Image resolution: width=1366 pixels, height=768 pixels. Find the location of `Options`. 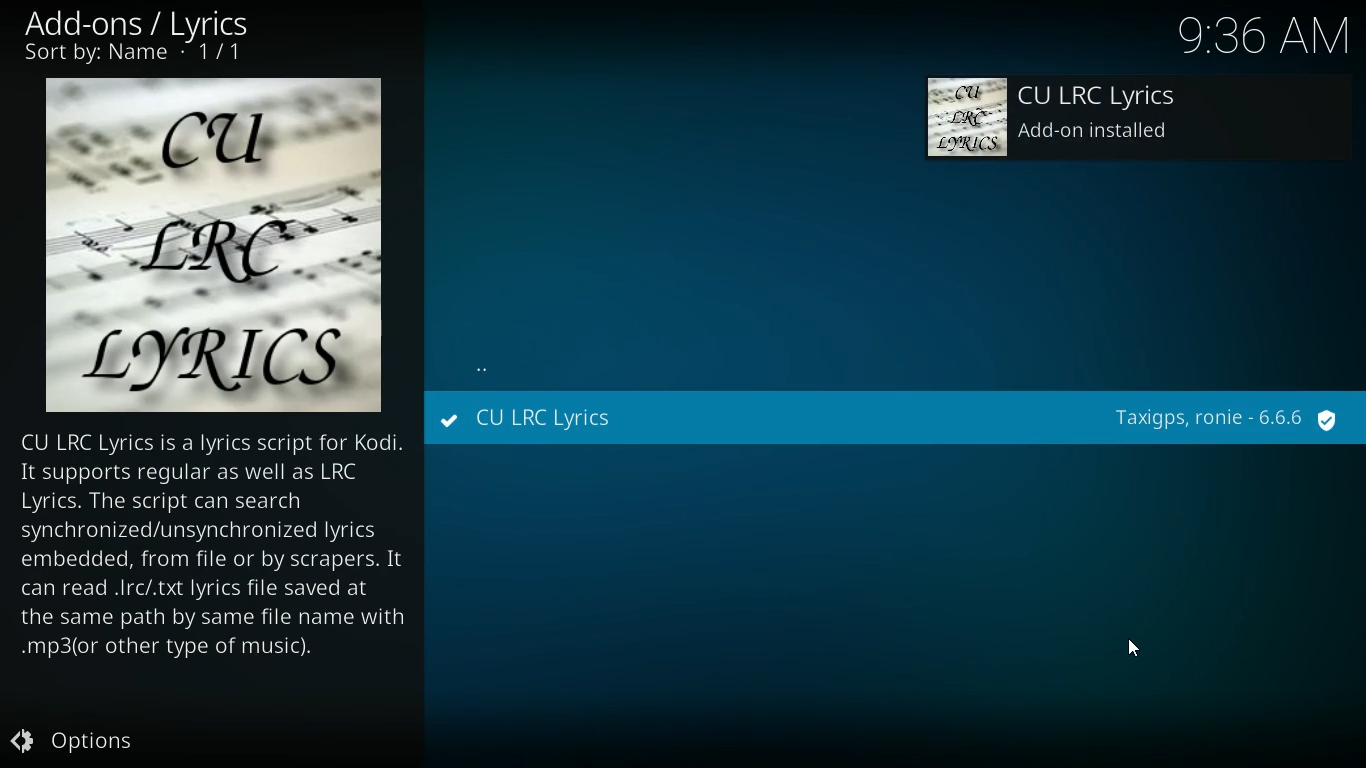

Options is located at coordinates (77, 741).